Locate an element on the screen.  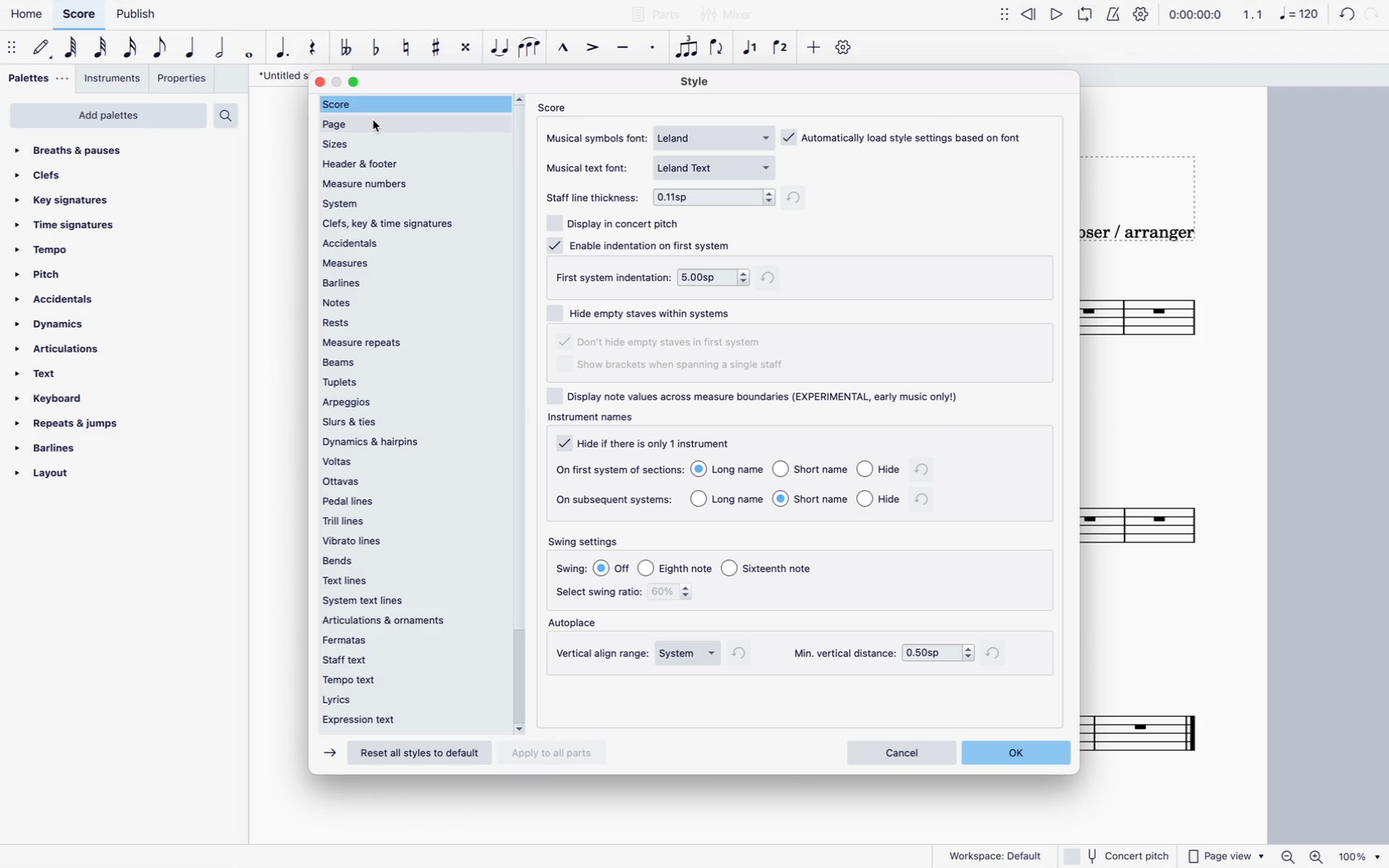
clefs is located at coordinates (47, 176).